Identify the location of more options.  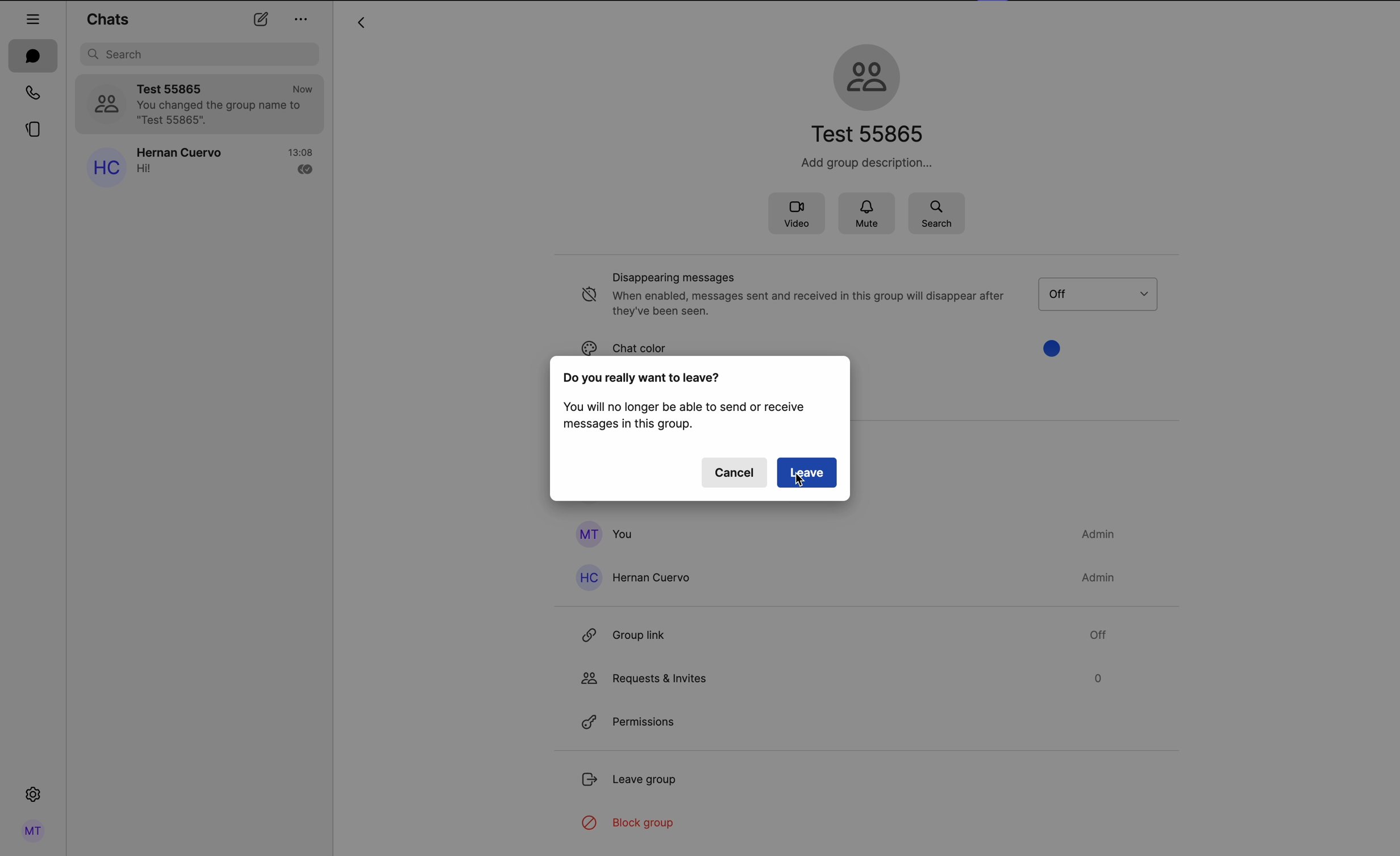
(303, 21).